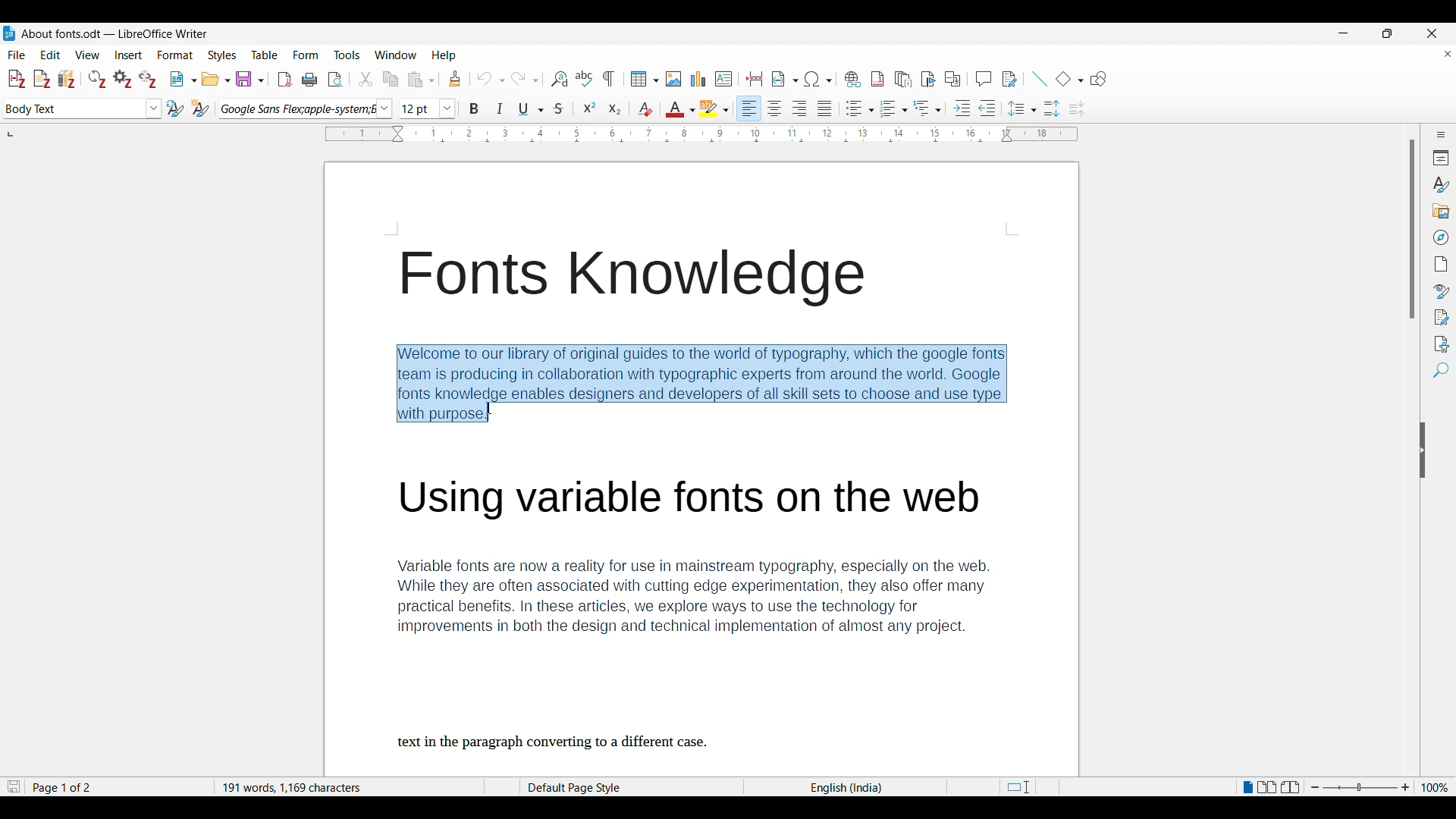  I want to click on Left alignment, so click(748, 108).